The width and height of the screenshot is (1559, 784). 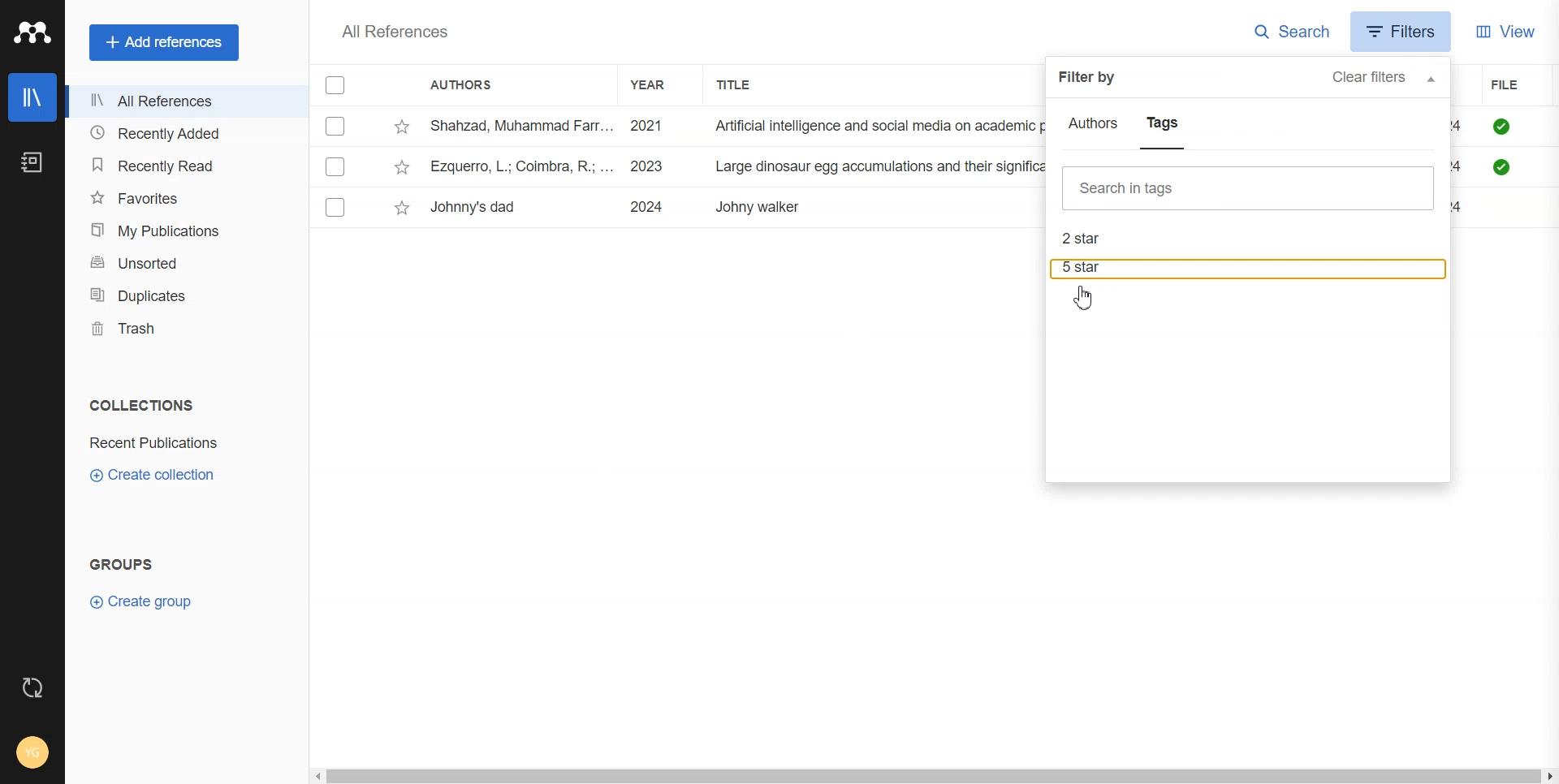 What do you see at coordinates (180, 328) in the screenshot?
I see `Trash` at bounding box center [180, 328].